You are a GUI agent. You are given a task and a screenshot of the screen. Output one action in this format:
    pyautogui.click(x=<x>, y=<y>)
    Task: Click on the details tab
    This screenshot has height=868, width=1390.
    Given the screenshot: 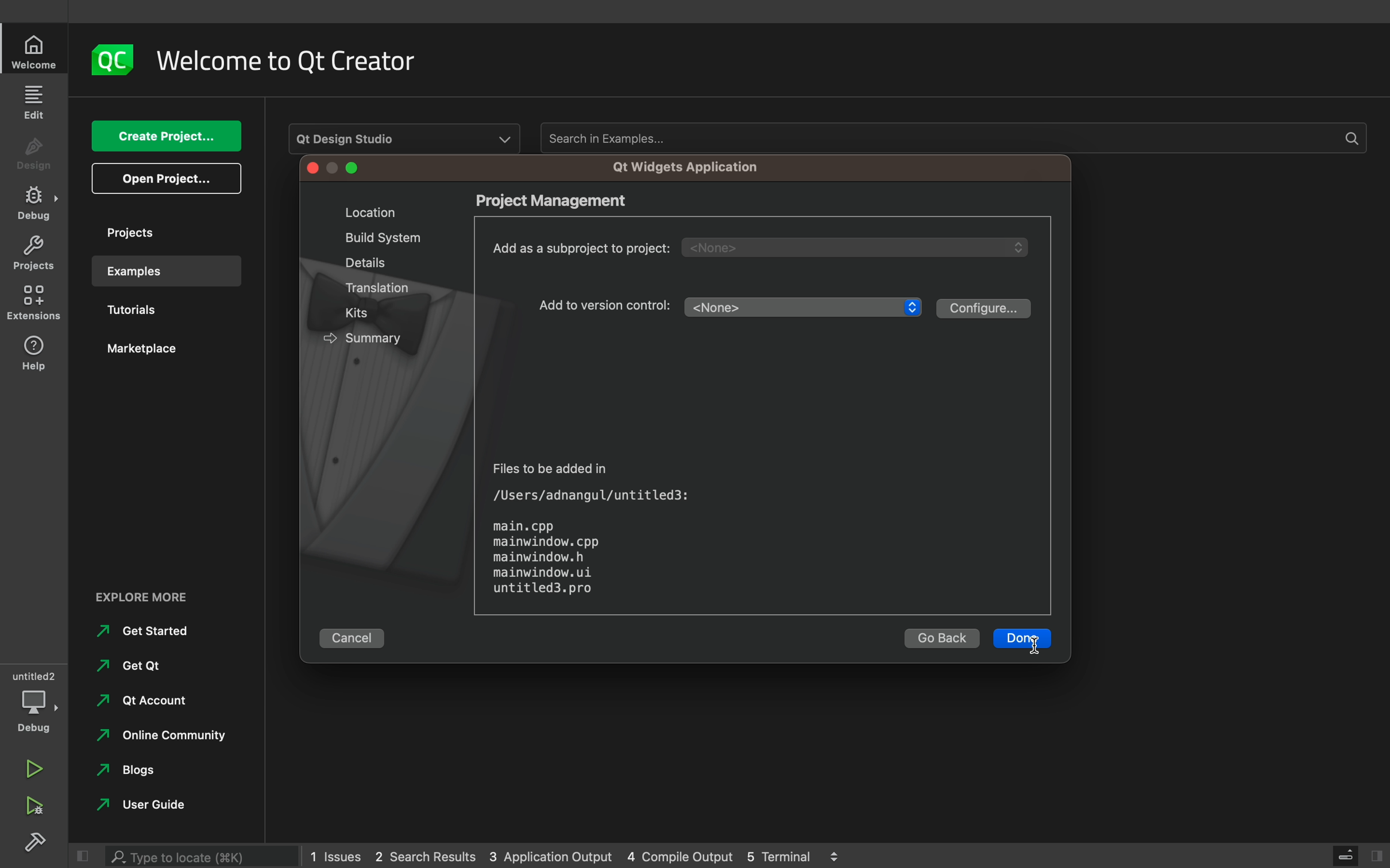 What is the action you would take?
    pyautogui.click(x=361, y=261)
    